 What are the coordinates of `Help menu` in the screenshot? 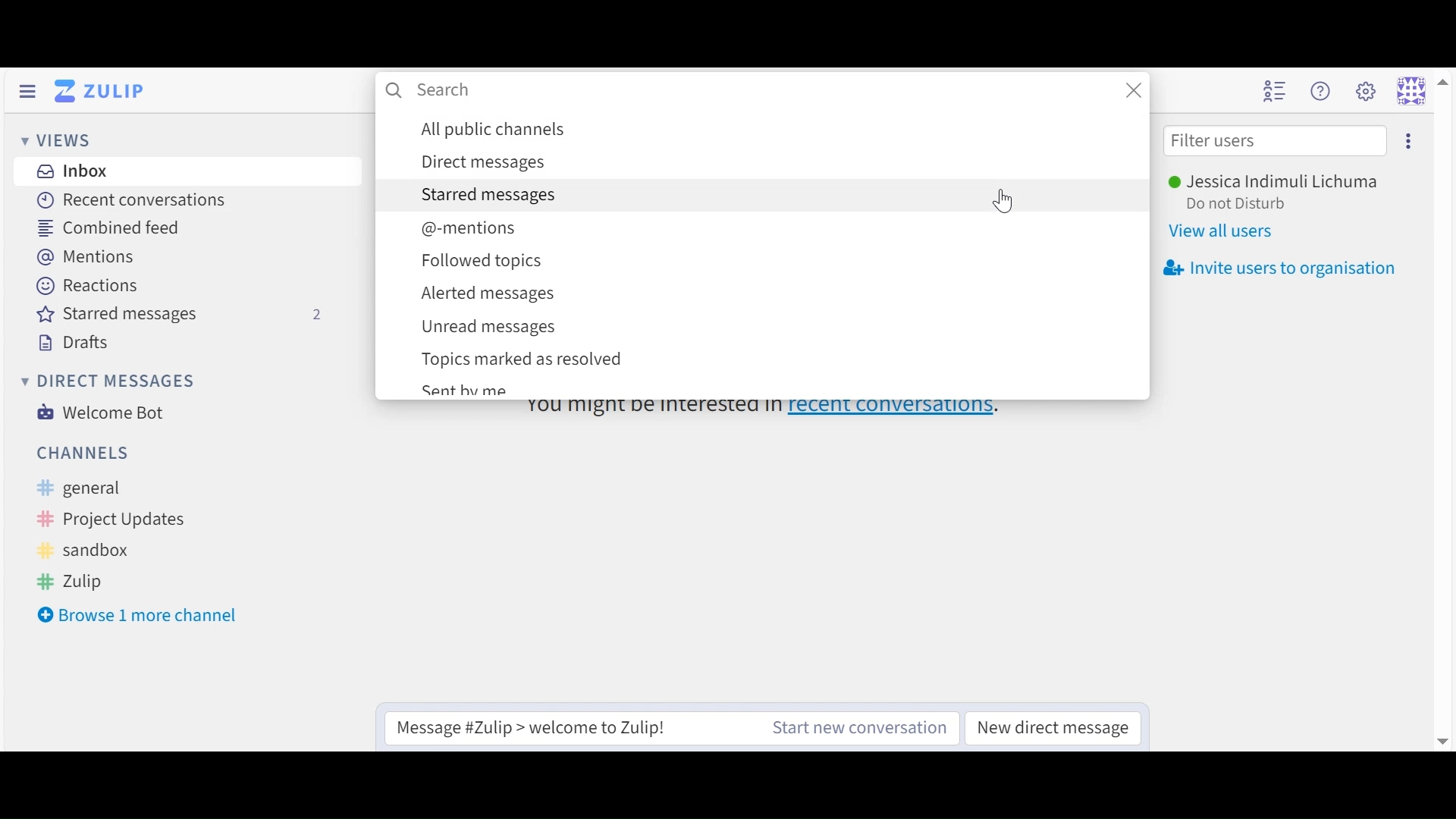 It's located at (1323, 91).